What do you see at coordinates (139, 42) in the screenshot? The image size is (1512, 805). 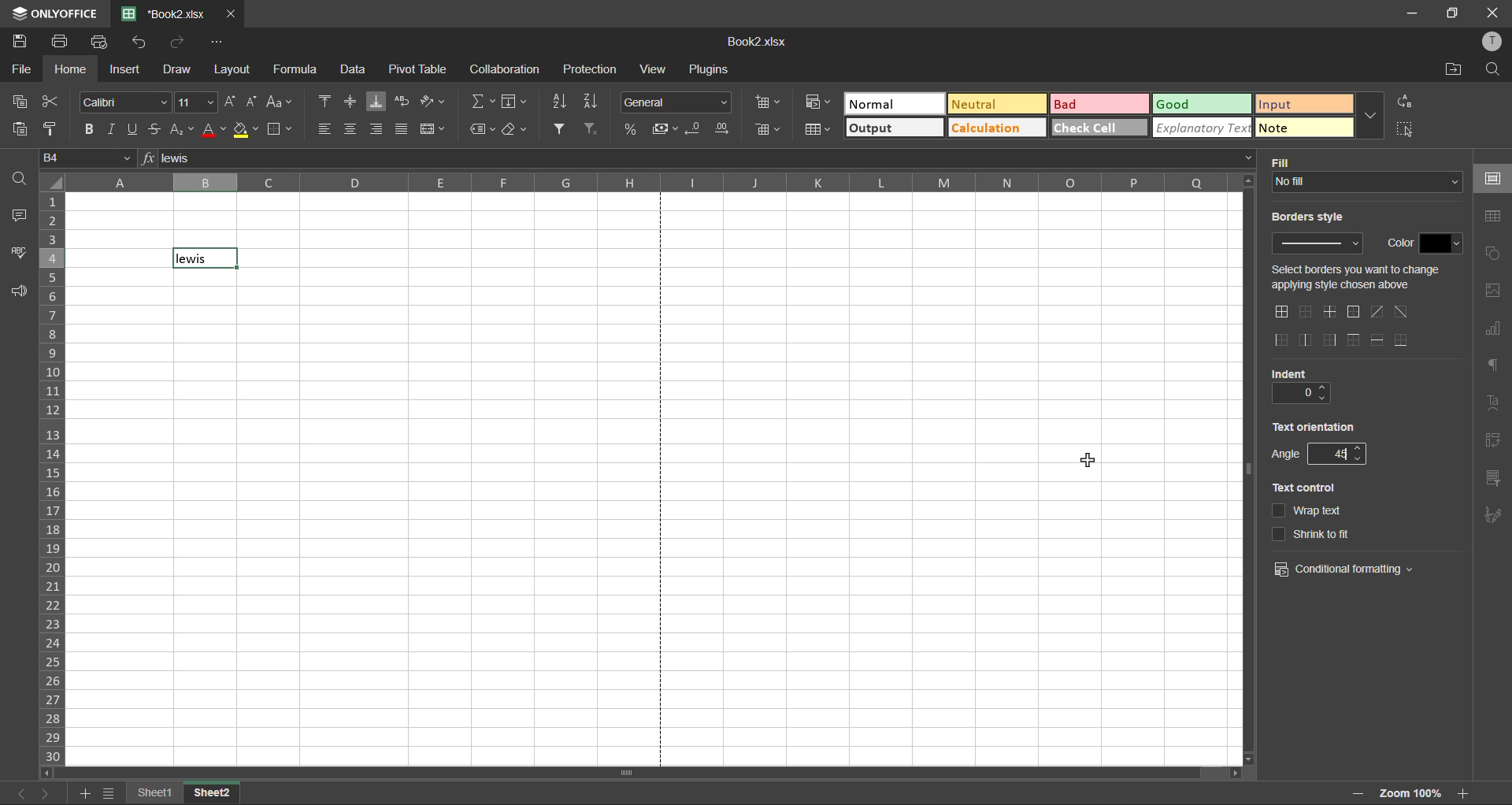 I see `undo` at bounding box center [139, 42].